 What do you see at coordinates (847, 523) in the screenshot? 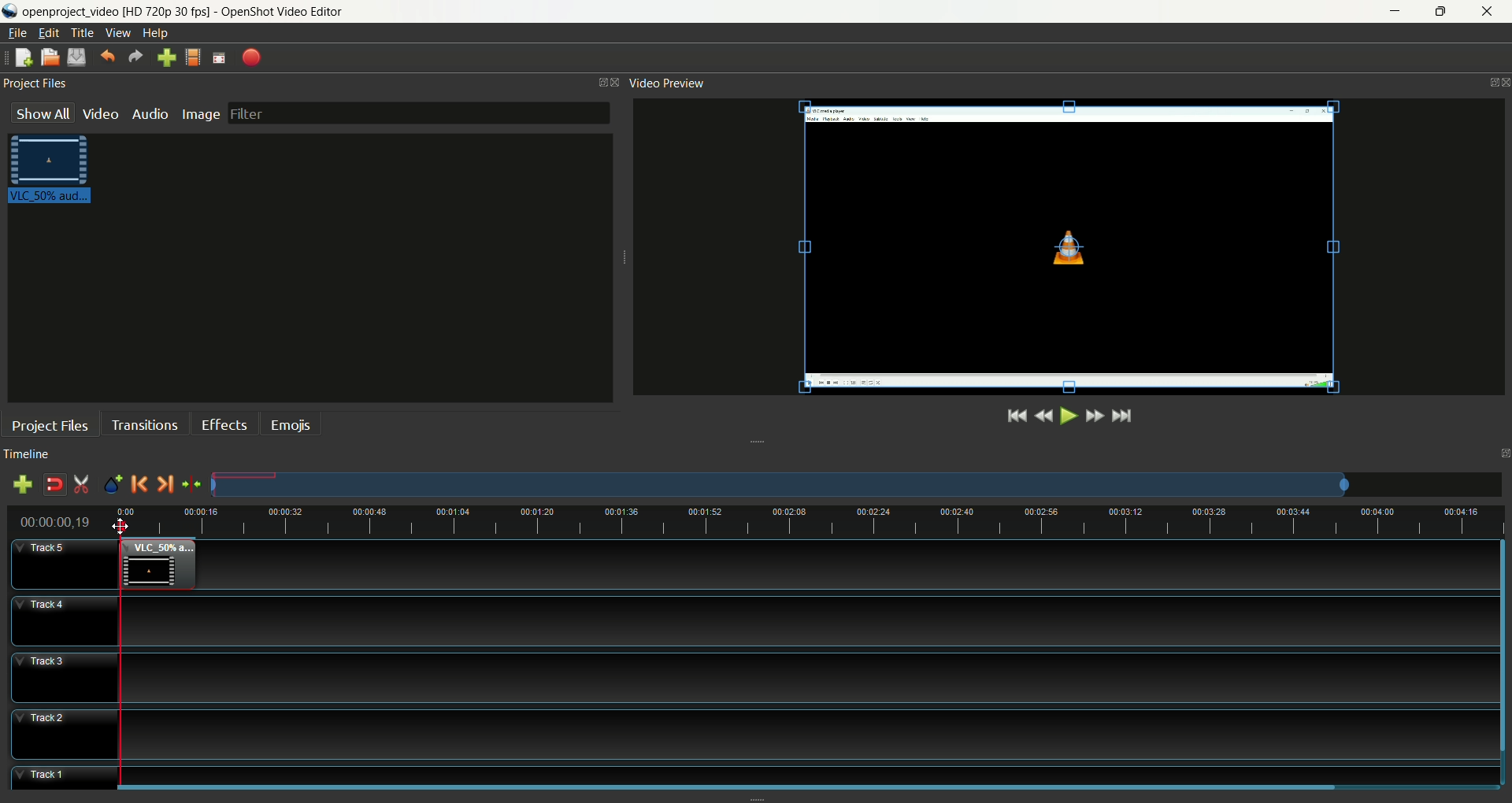
I see `zoom factor` at bounding box center [847, 523].